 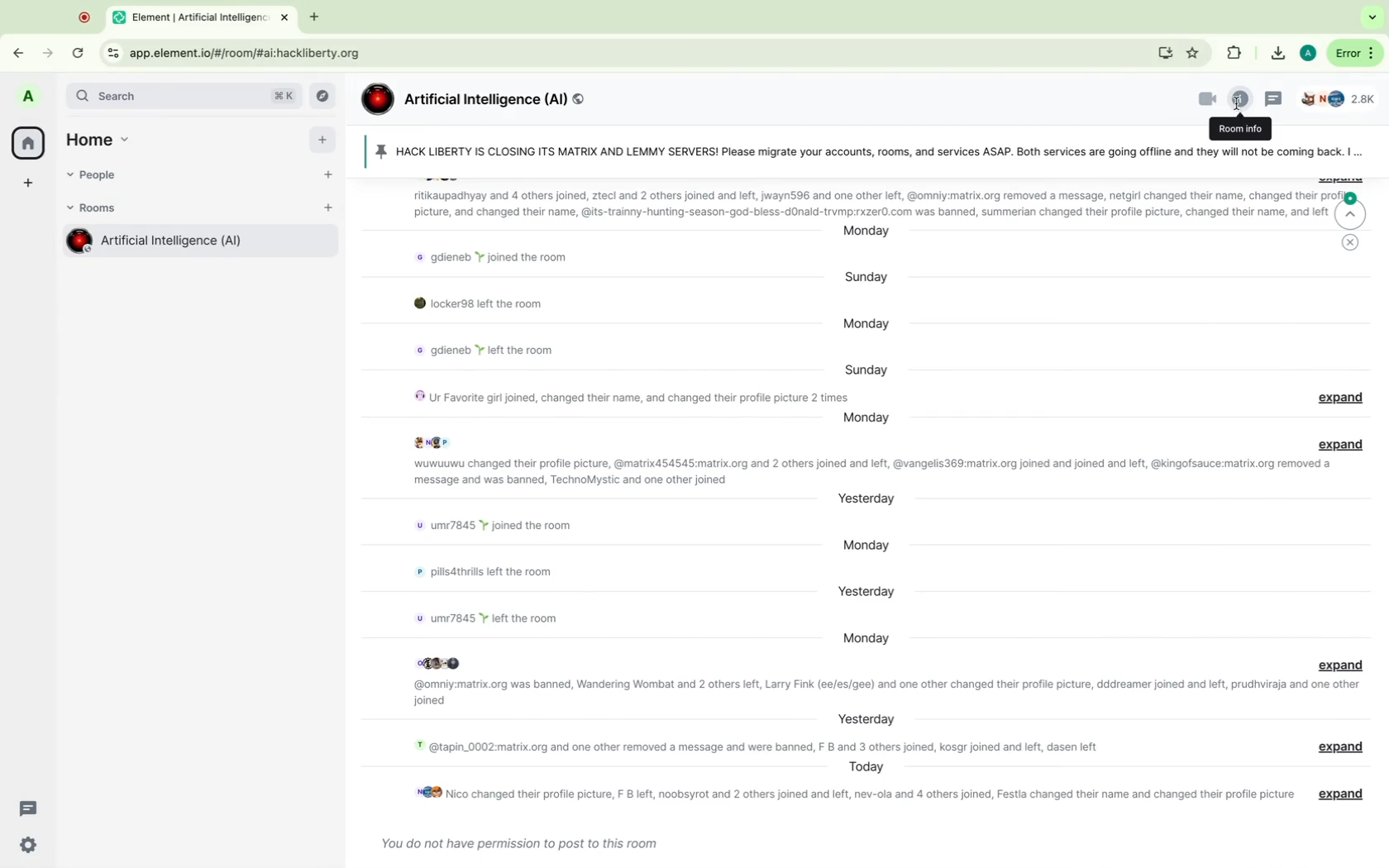 What do you see at coordinates (251, 53) in the screenshot?
I see `url` at bounding box center [251, 53].